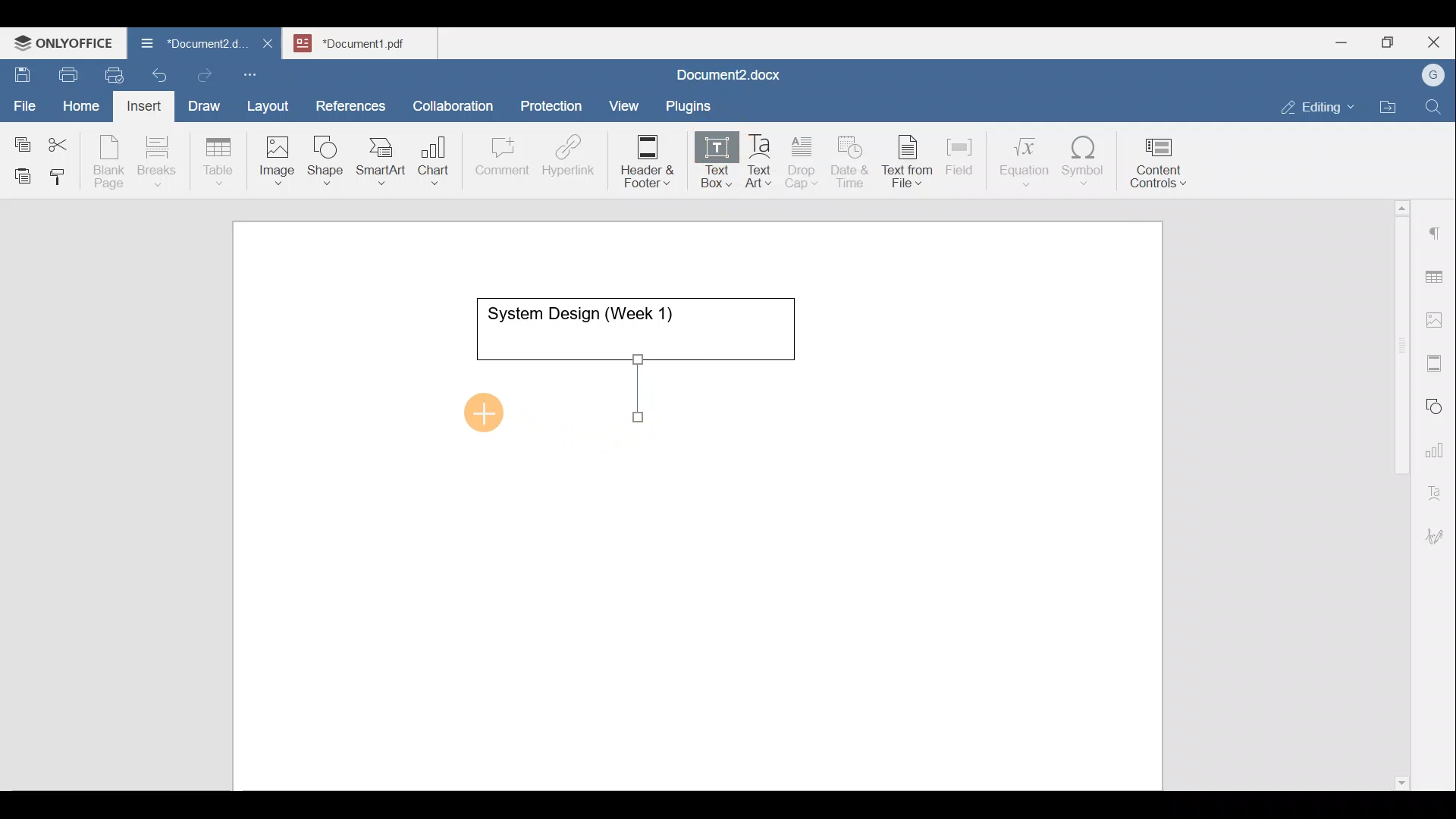 Image resolution: width=1456 pixels, height=819 pixels. What do you see at coordinates (851, 159) in the screenshot?
I see `Date & time` at bounding box center [851, 159].